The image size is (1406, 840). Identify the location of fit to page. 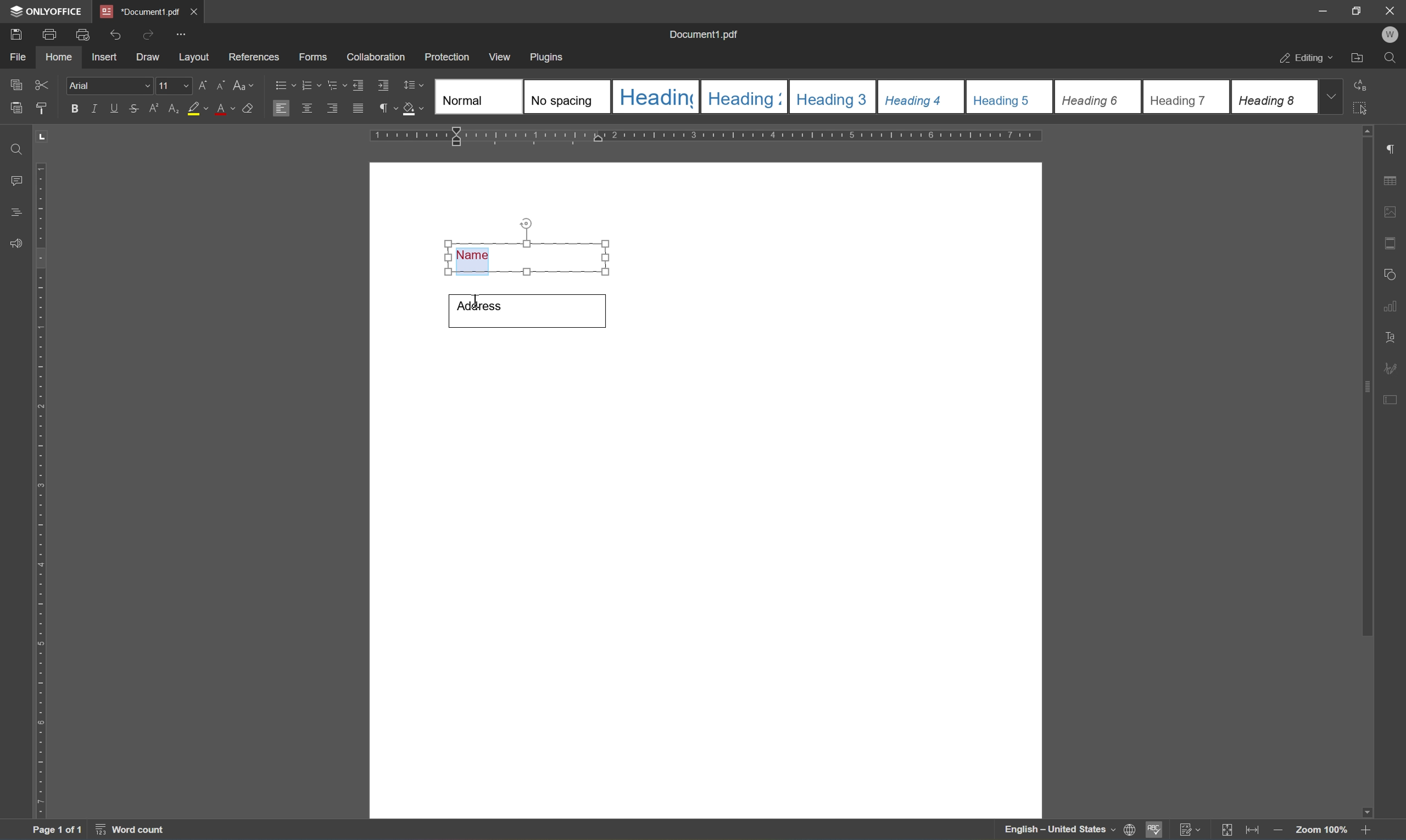
(1228, 830).